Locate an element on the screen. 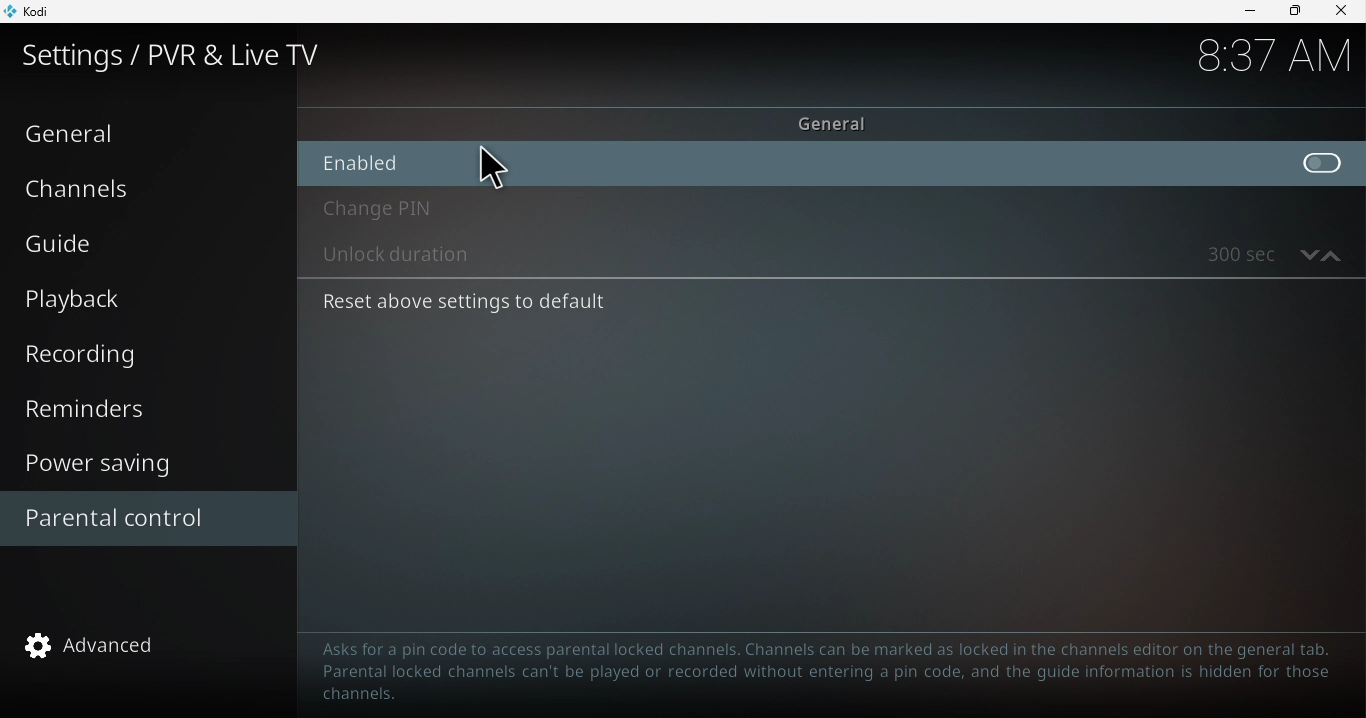 Image resolution: width=1366 pixels, height=718 pixels. increase is located at coordinates (1333, 253).